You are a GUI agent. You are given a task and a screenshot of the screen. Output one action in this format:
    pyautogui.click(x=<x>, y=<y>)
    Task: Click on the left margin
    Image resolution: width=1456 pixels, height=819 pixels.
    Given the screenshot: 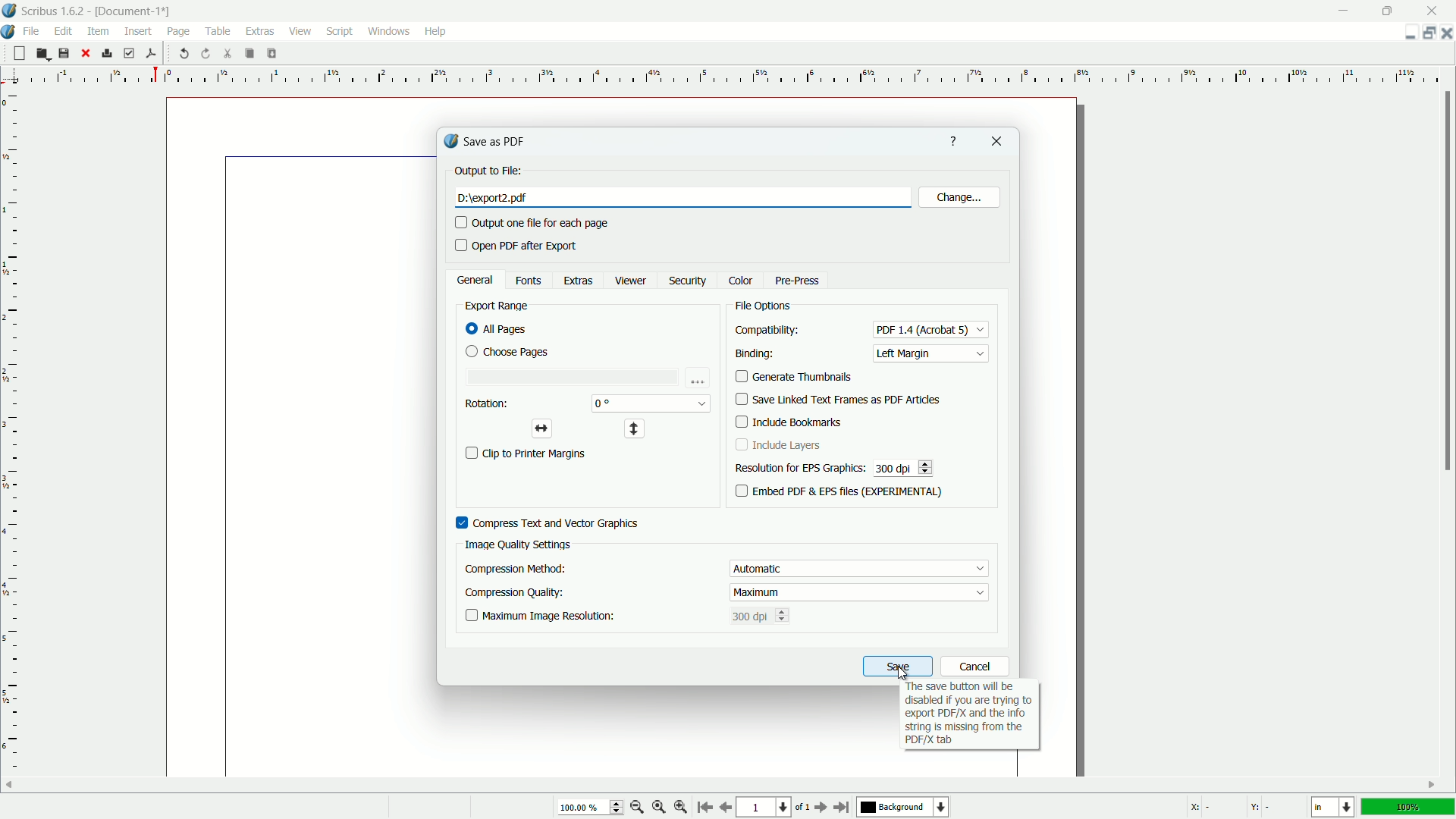 What is the action you would take?
    pyautogui.click(x=906, y=353)
    